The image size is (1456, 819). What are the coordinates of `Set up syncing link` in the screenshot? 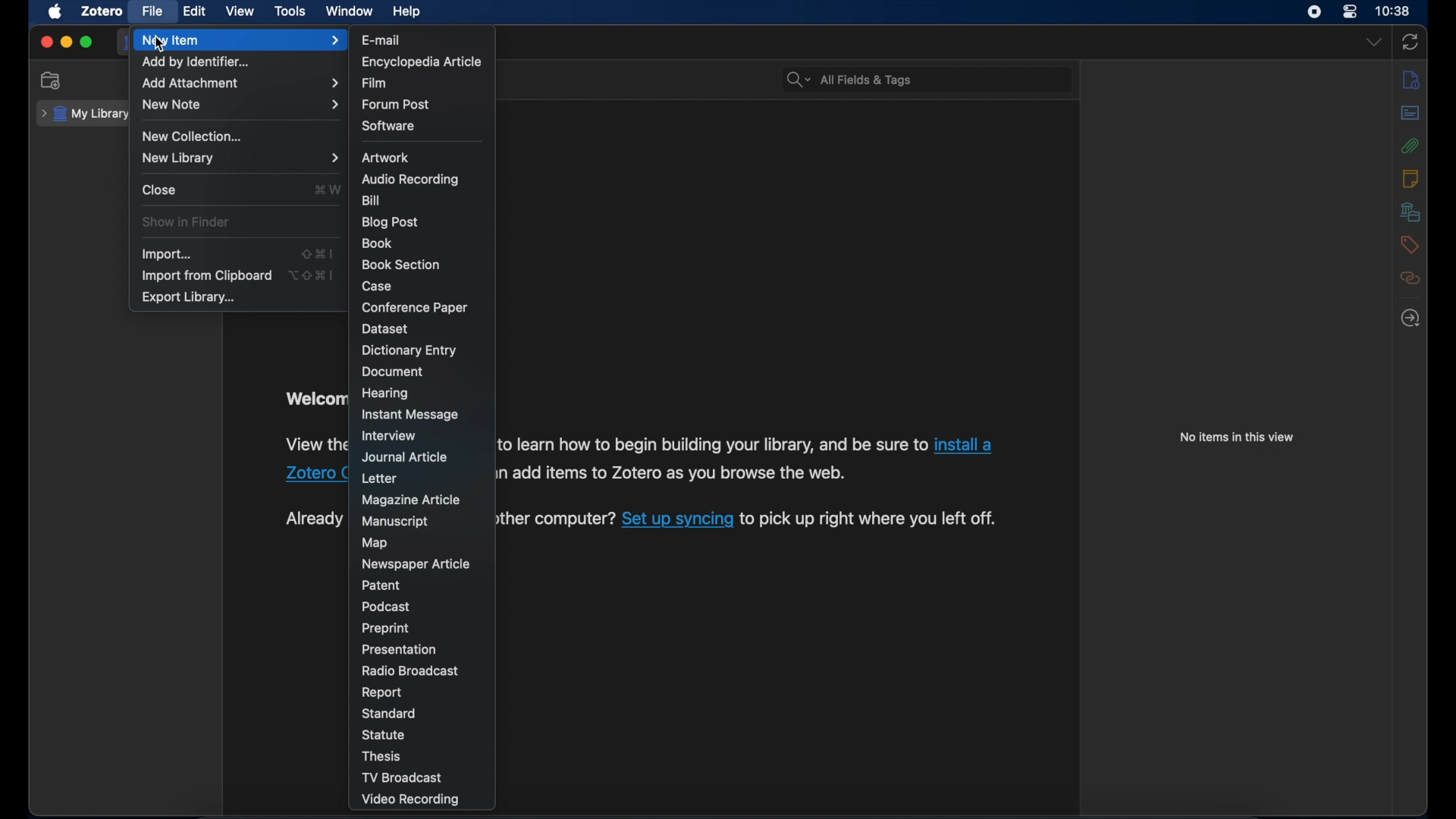 It's located at (677, 520).